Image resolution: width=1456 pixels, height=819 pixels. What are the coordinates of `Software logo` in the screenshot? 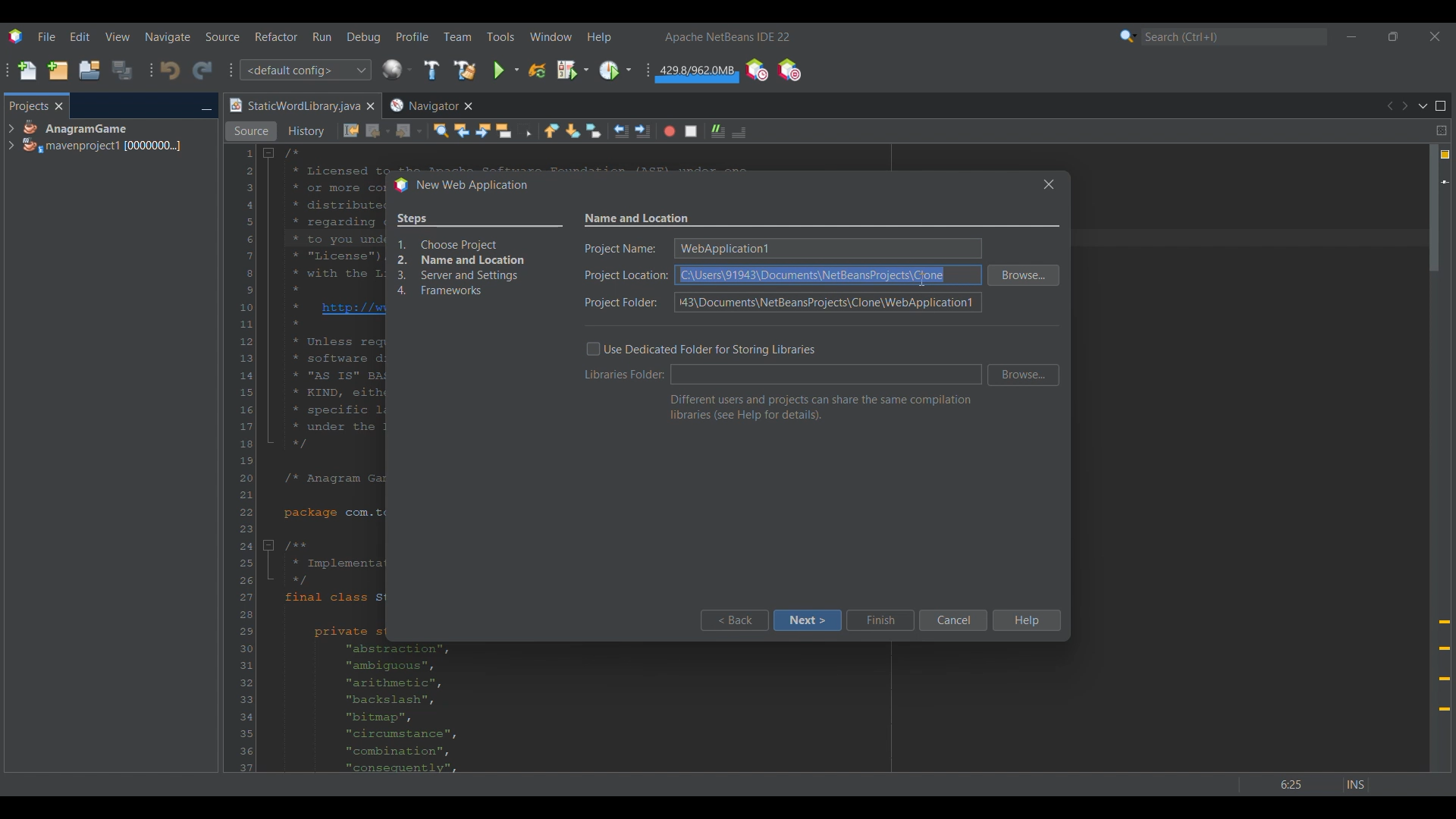 It's located at (15, 36).